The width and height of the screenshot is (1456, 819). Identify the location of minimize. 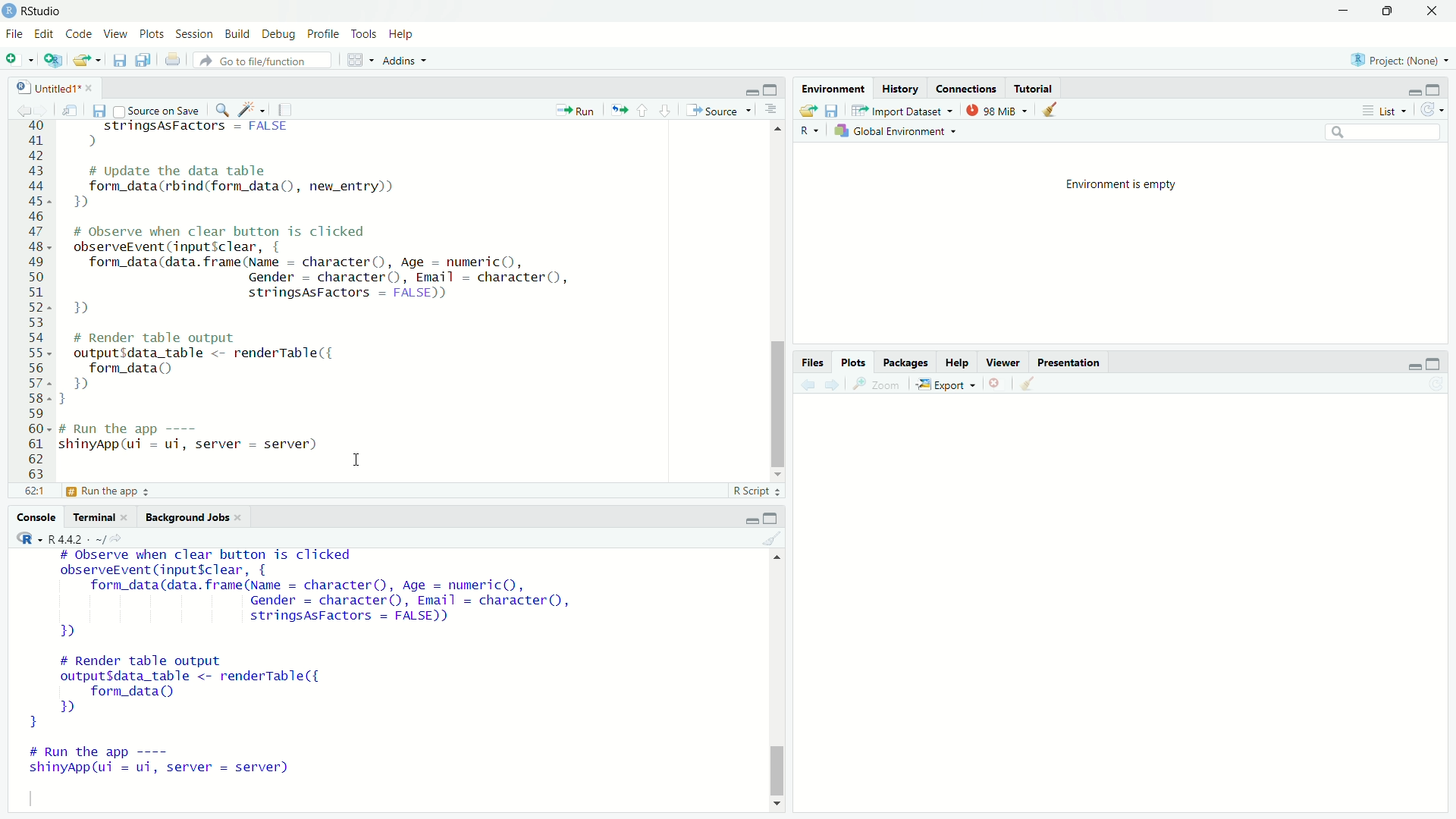
(1408, 362).